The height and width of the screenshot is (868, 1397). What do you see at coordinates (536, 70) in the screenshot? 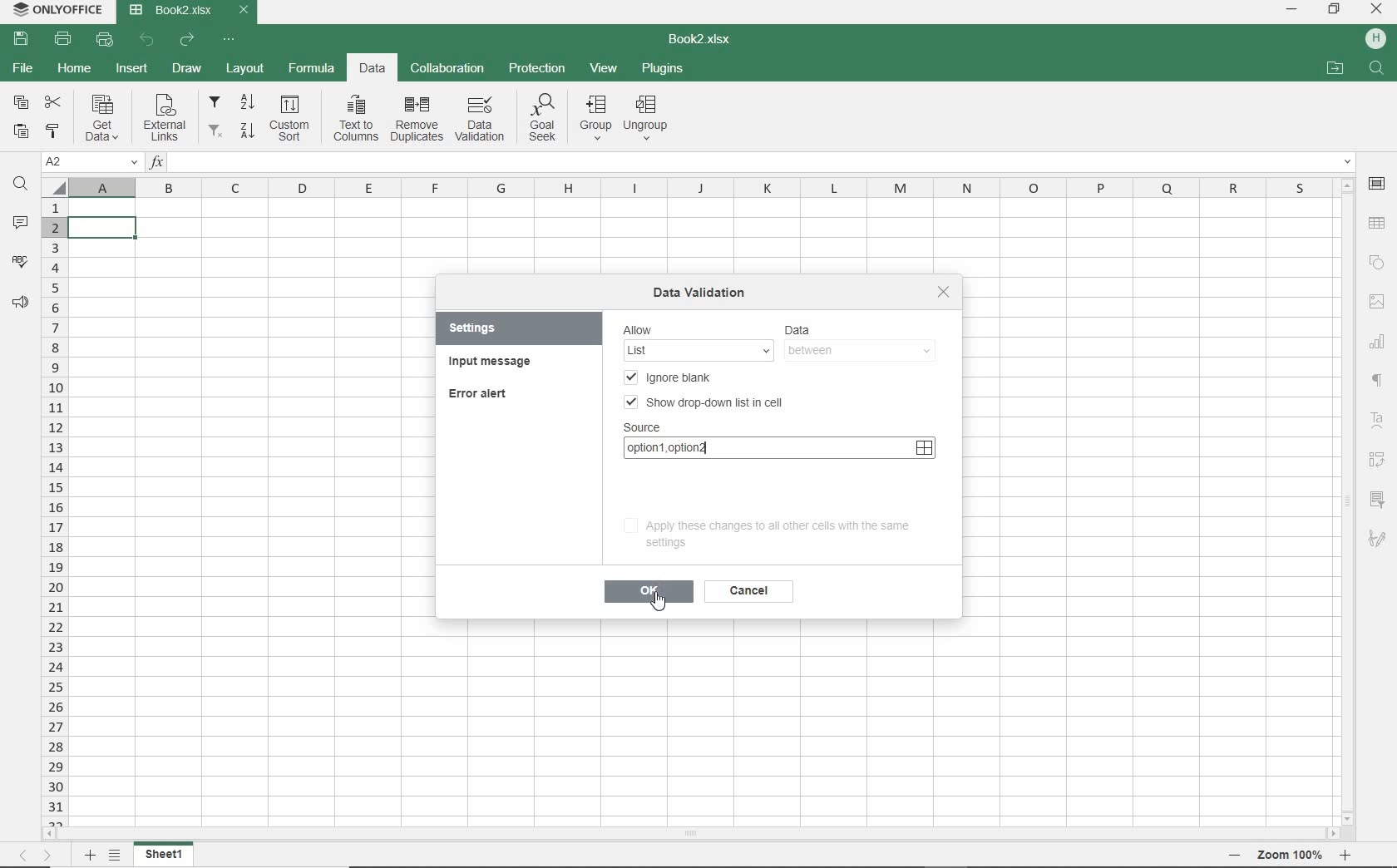
I see `PROTECTION` at bounding box center [536, 70].